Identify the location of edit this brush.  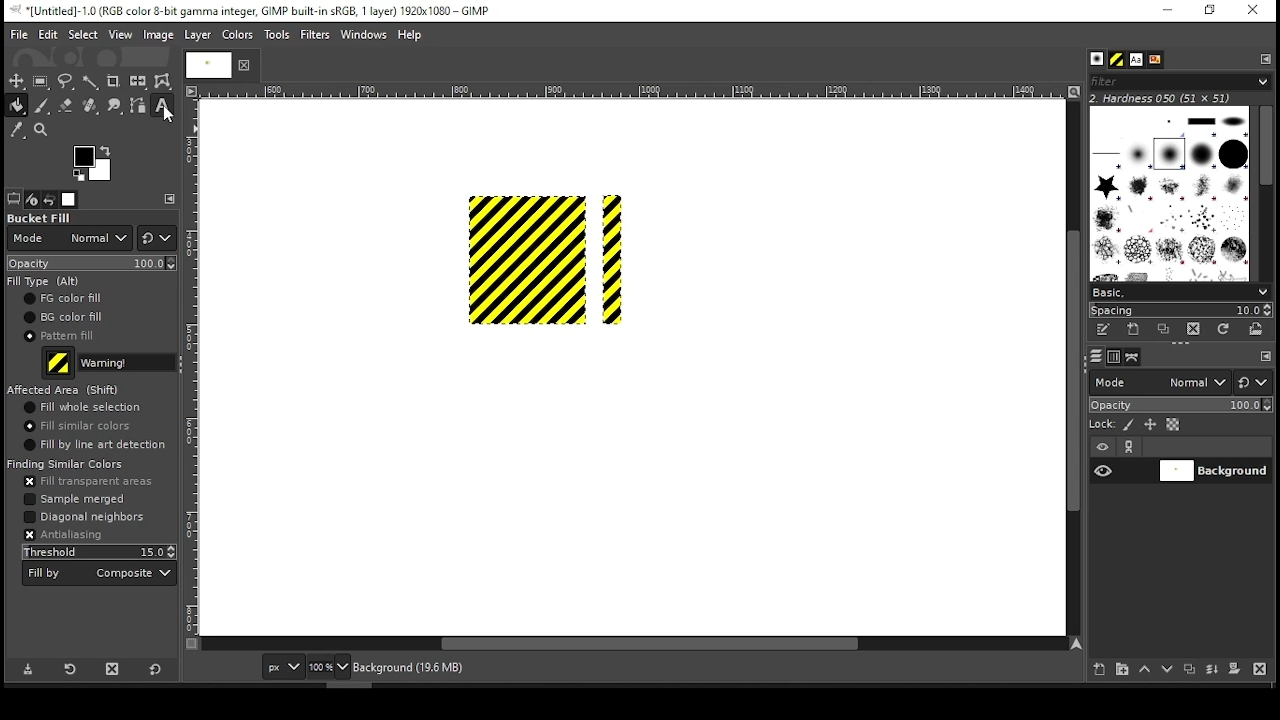
(1102, 331).